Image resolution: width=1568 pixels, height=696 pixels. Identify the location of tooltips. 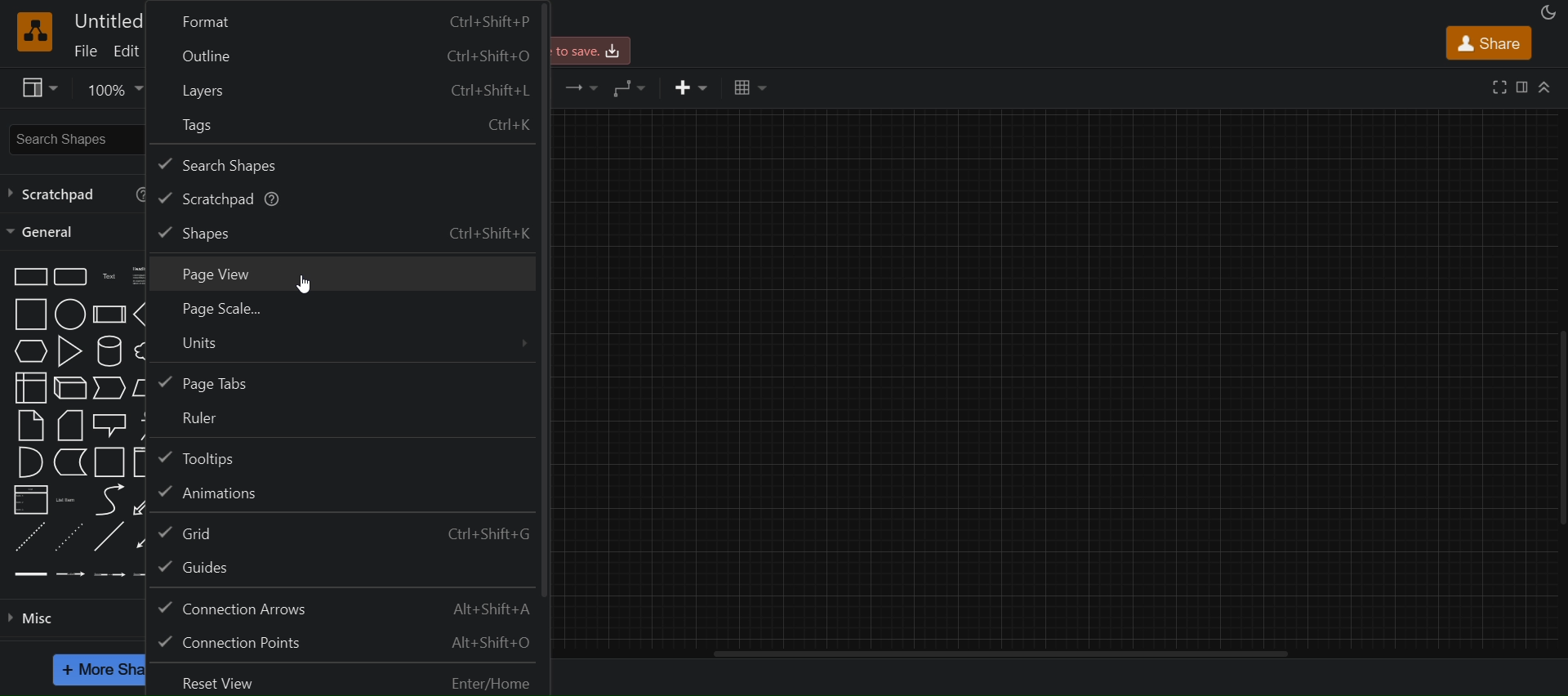
(345, 457).